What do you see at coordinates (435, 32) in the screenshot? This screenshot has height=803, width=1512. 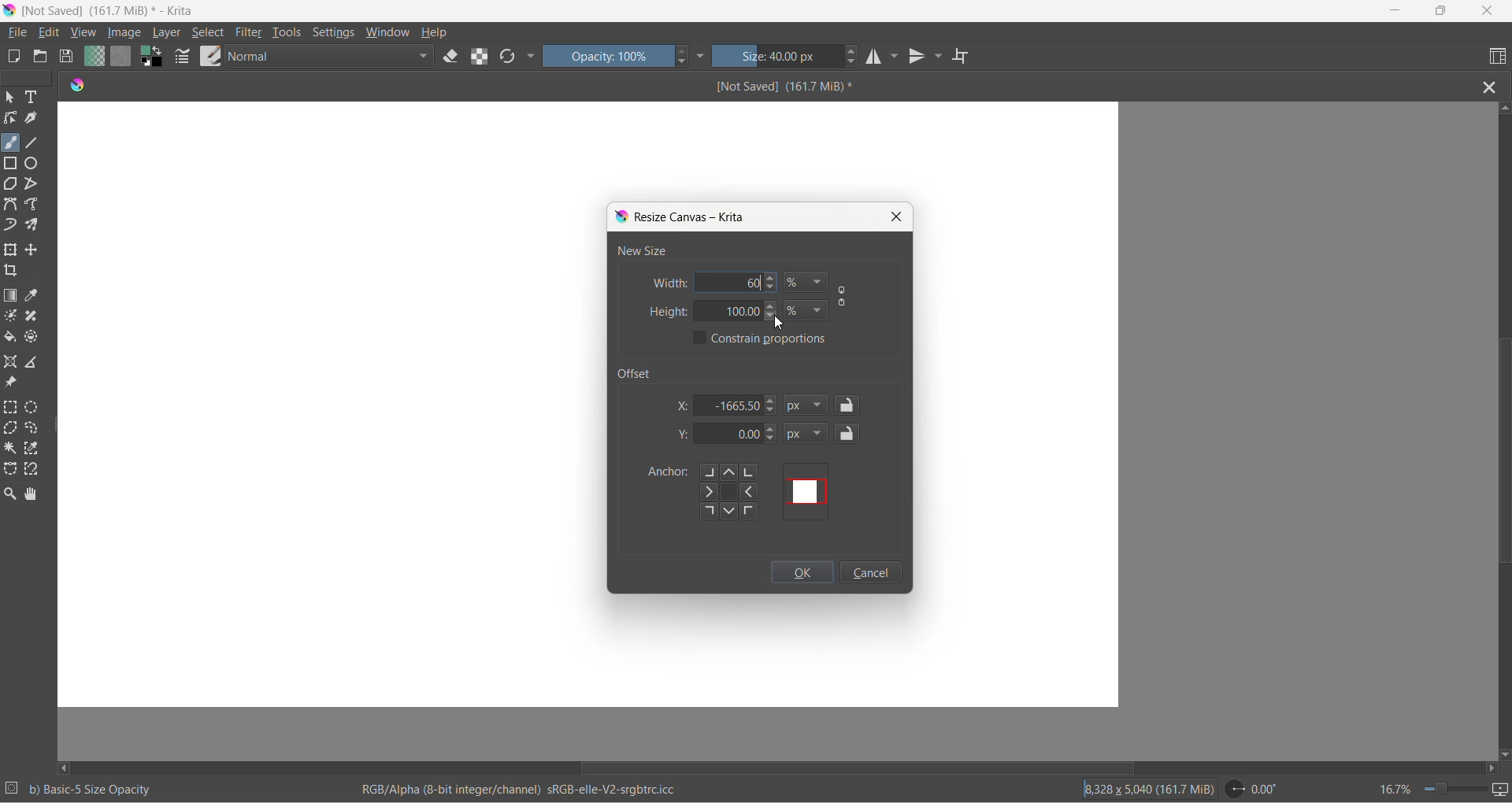 I see `help` at bounding box center [435, 32].